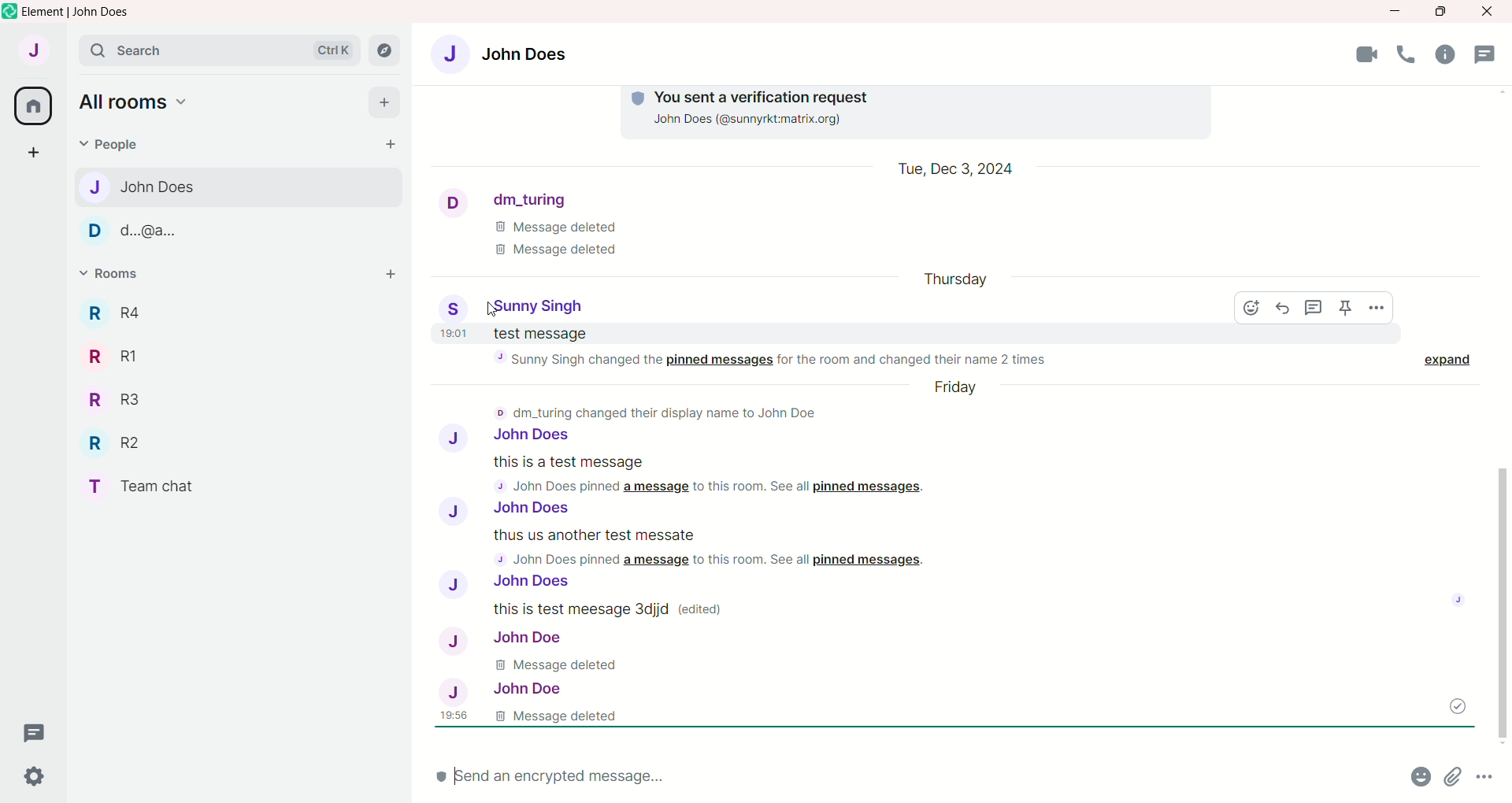 This screenshot has width=1512, height=803. Describe the element at coordinates (1406, 54) in the screenshot. I see `voice call` at that location.